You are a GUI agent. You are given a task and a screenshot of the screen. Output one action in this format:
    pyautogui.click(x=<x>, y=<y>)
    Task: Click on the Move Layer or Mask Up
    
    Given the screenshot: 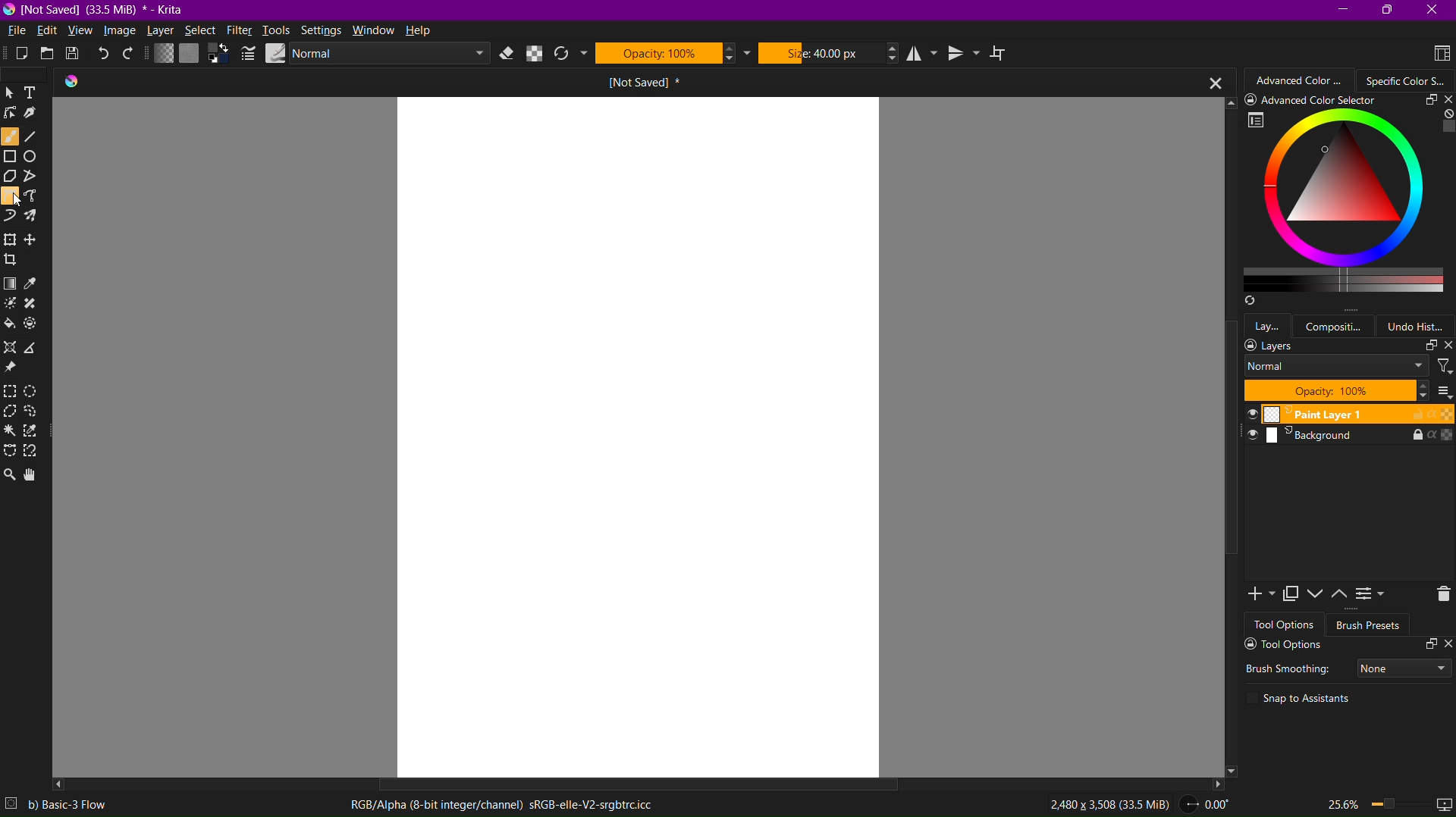 What is the action you would take?
    pyautogui.click(x=1342, y=594)
    